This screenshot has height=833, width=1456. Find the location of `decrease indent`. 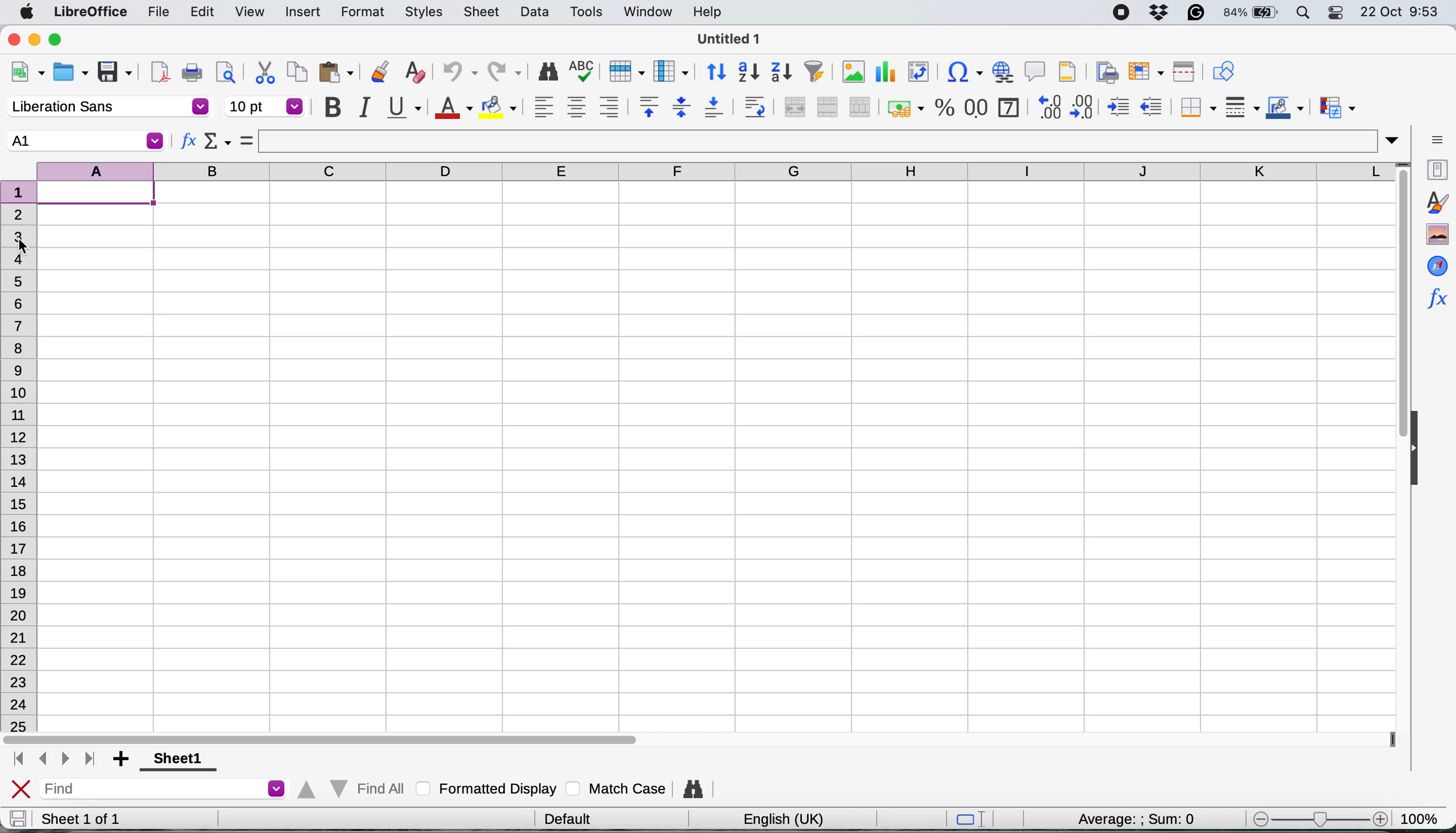

decrease indent is located at coordinates (1153, 106).